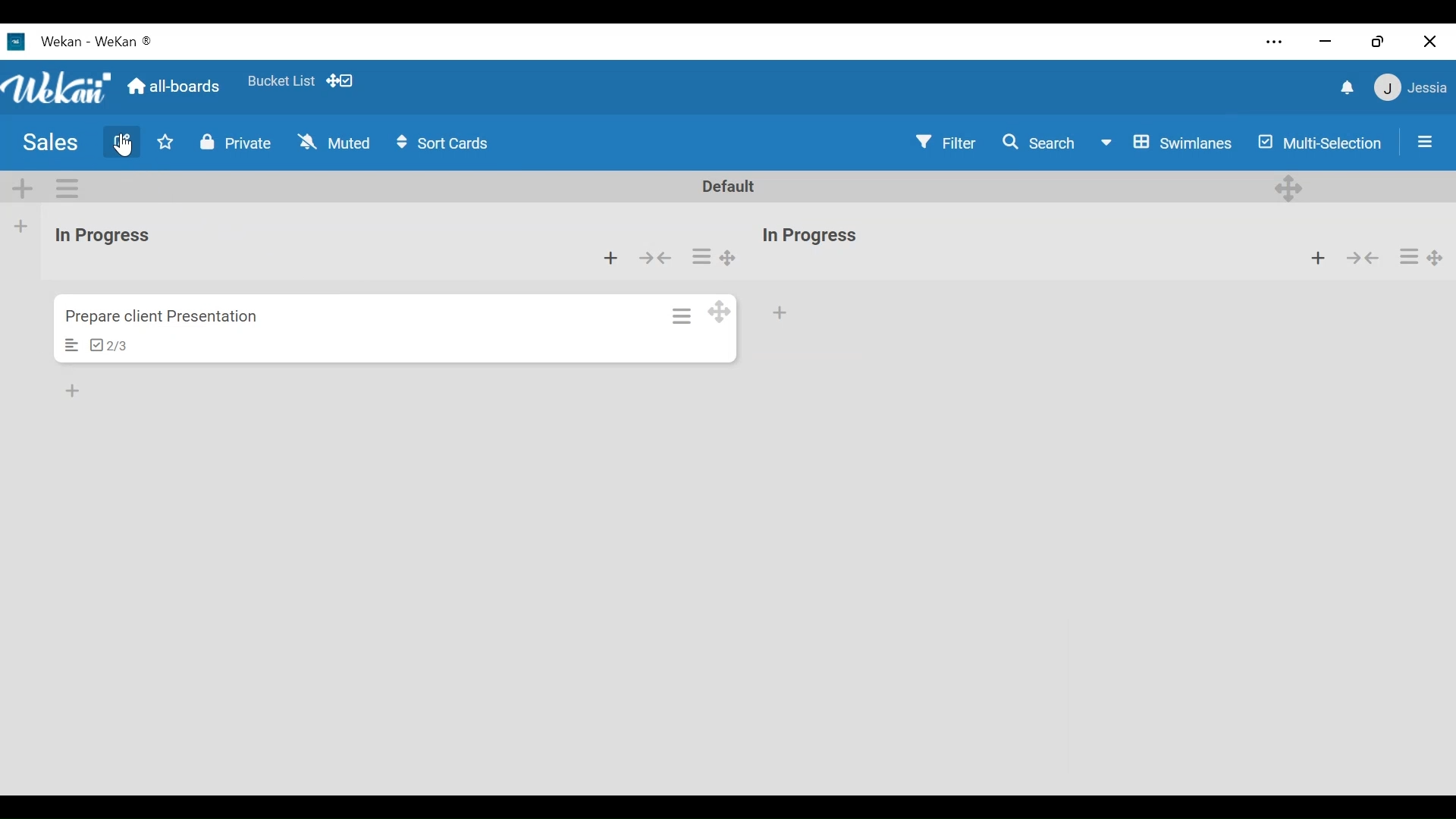 The image size is (1456, 819). I want to click on List actions, so click(701, 255).